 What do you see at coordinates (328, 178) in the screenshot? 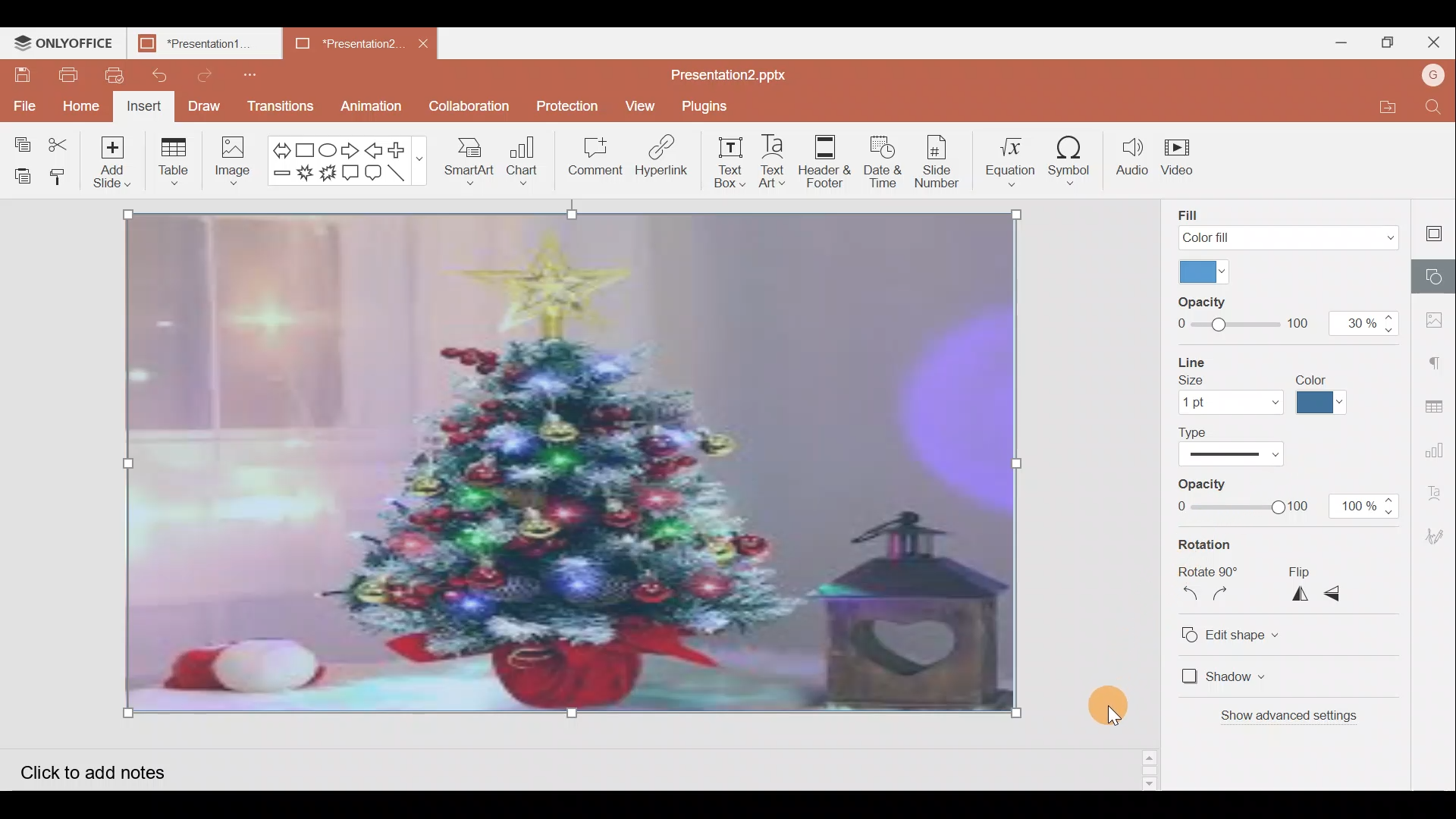
I see `Explosion 2` at bounding box center [328, 178].